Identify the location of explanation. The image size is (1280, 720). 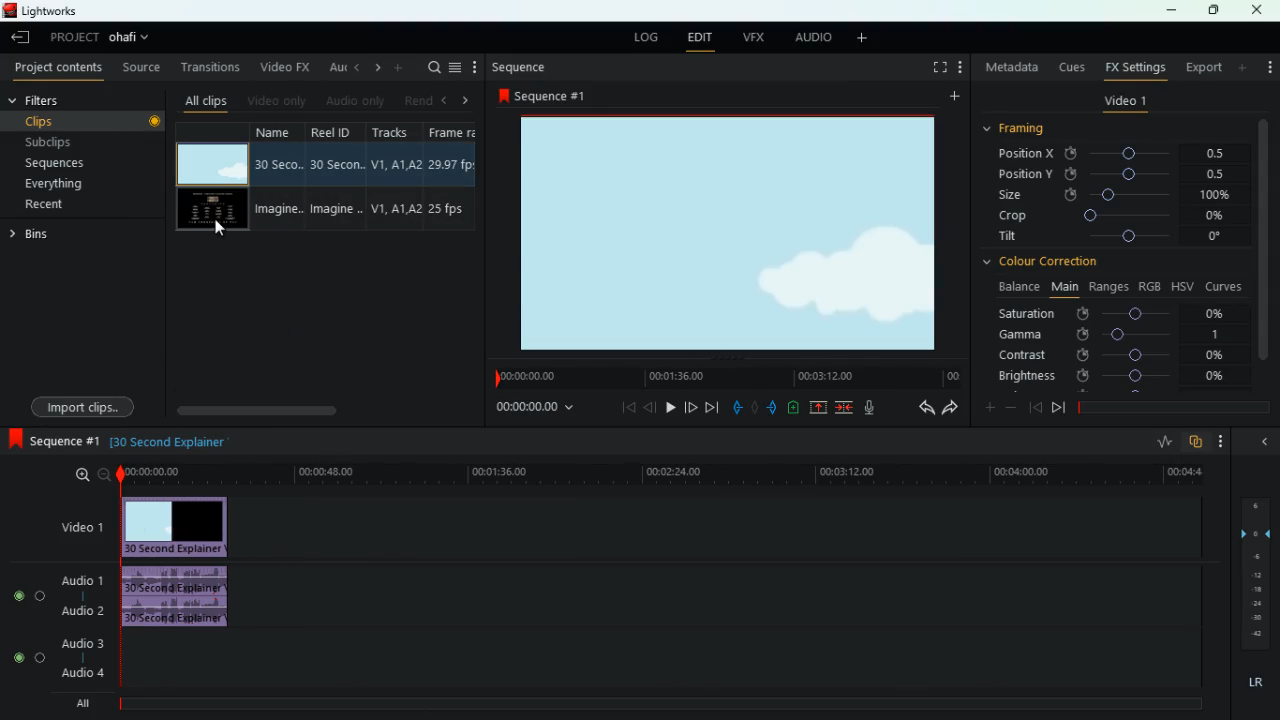
(175, 441).